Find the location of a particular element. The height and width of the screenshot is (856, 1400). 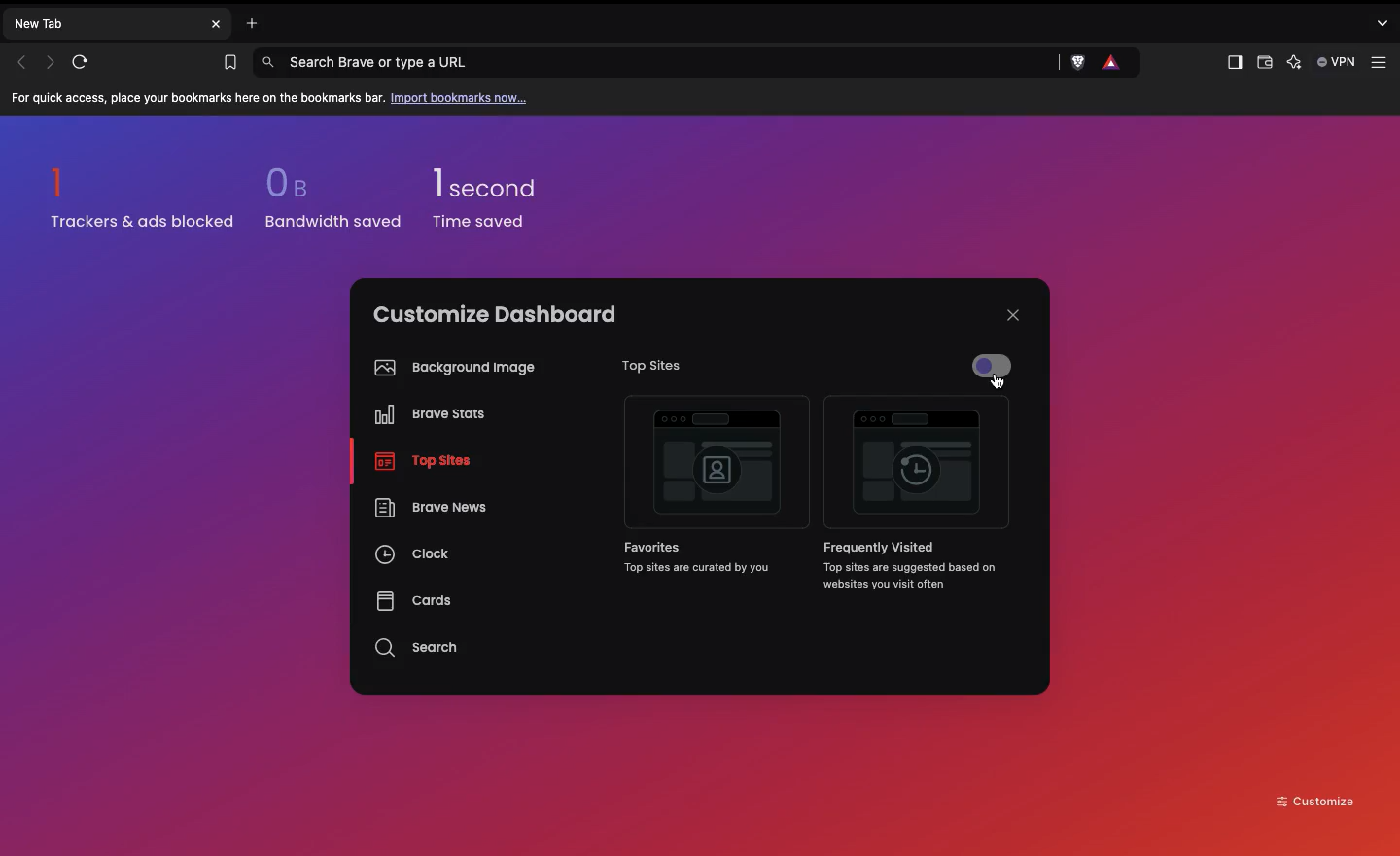

Clock is located at coordinates (414, 557).